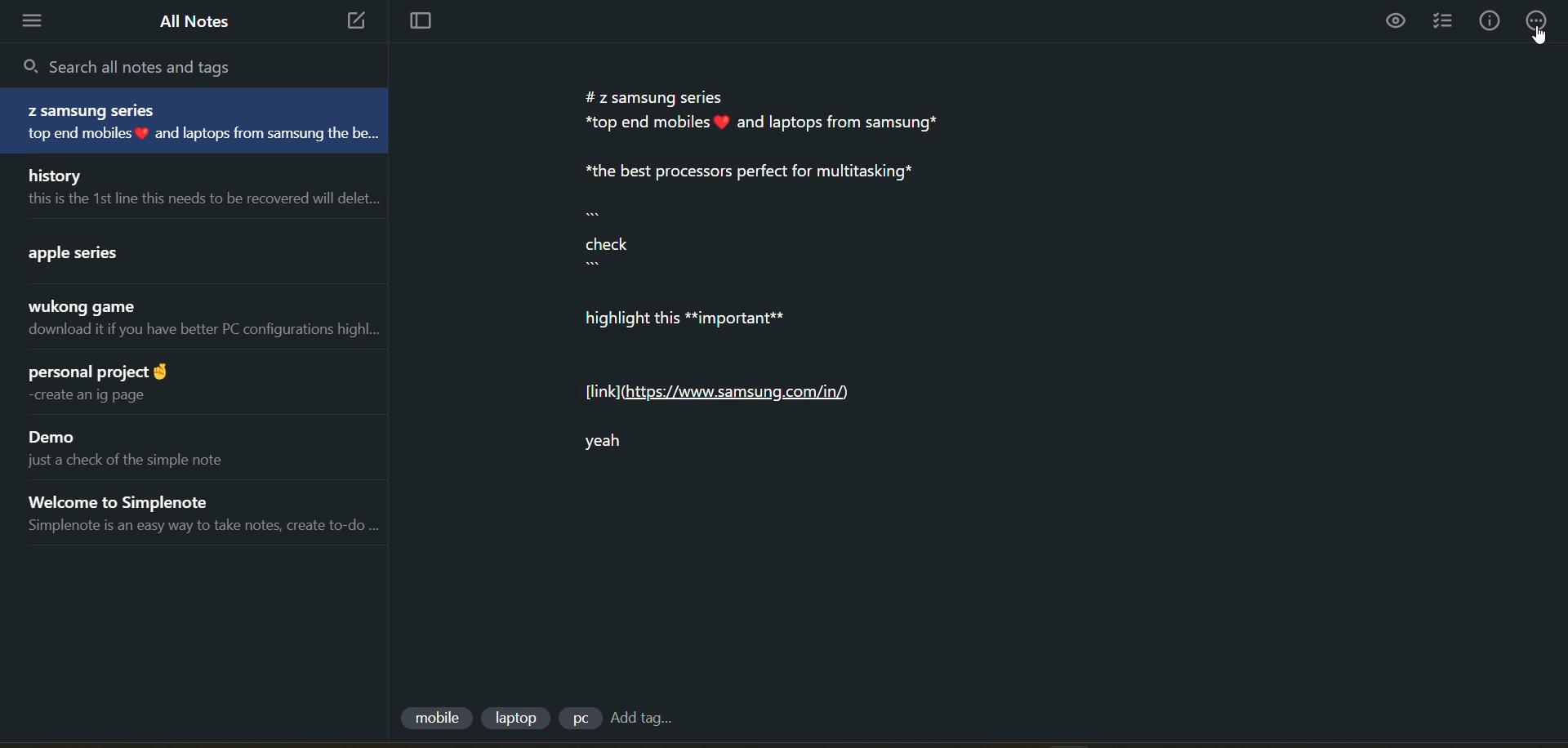 This screenshot has width=1568, height=748. Describe the element at coordinates (195, 21) in the screenshot. I see `all notes` at that location.